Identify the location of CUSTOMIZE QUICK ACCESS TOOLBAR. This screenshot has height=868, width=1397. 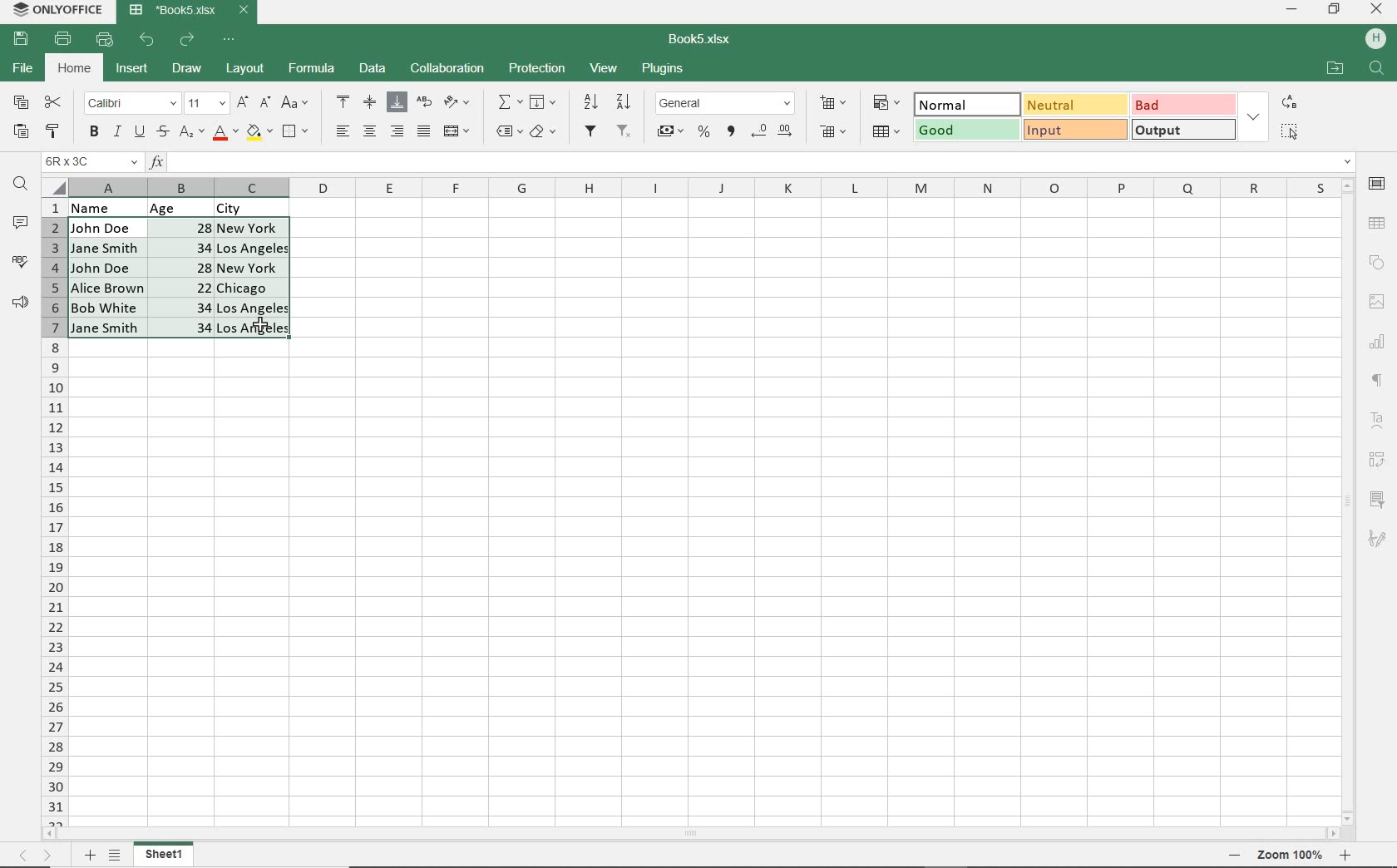
(234, 38).